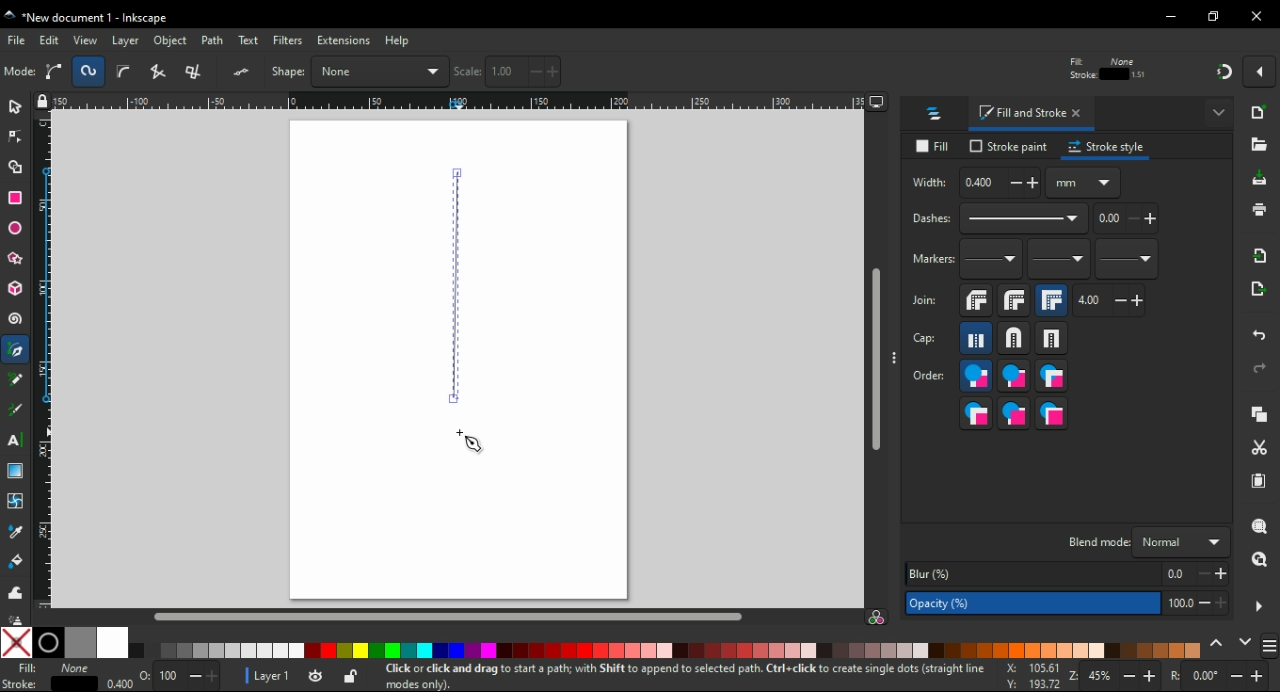 This screenshot has height=692, width=1280. I want to click on zoom selection, so click(1261, 527).